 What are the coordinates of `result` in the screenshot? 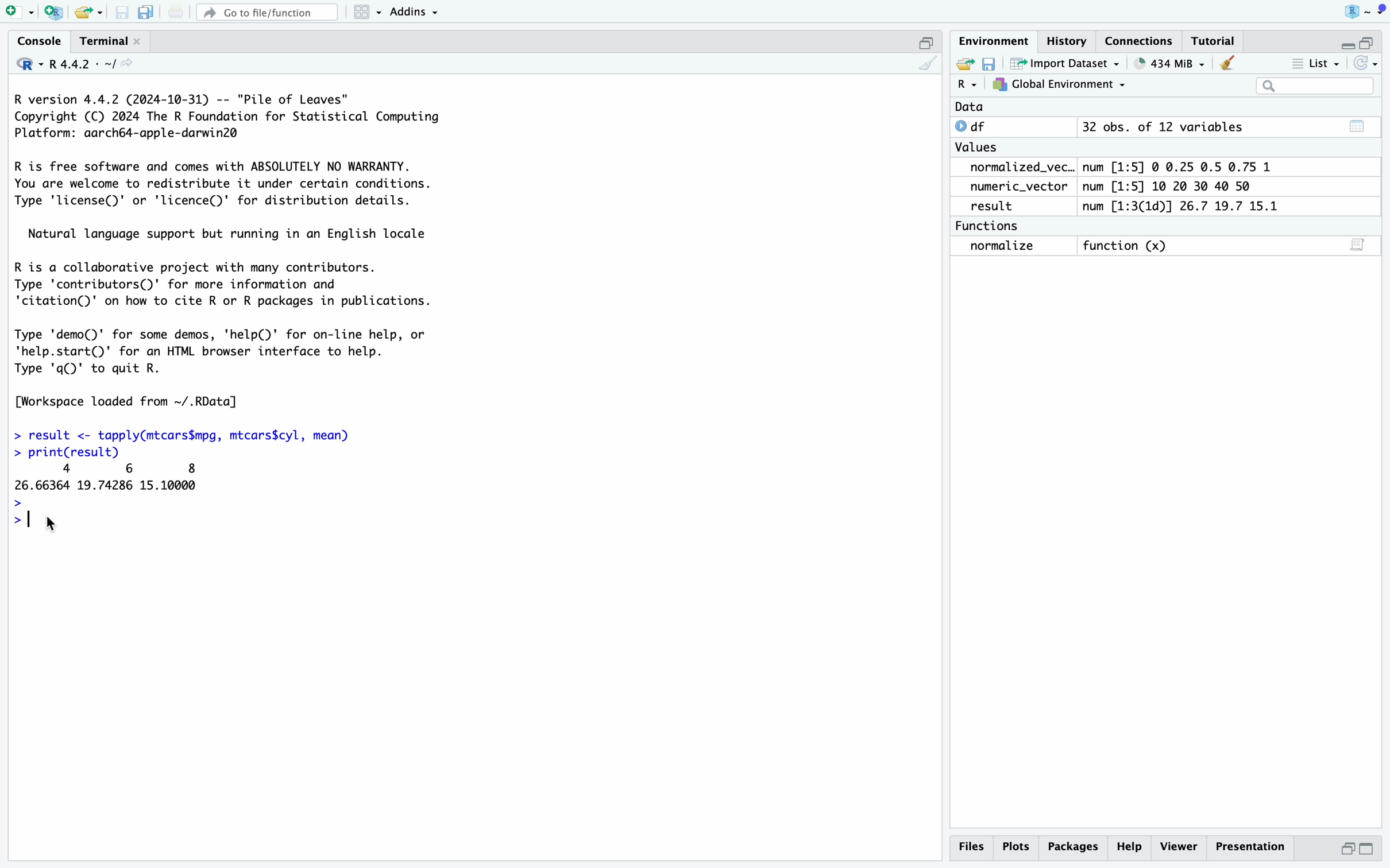 It's located at (995, 206).